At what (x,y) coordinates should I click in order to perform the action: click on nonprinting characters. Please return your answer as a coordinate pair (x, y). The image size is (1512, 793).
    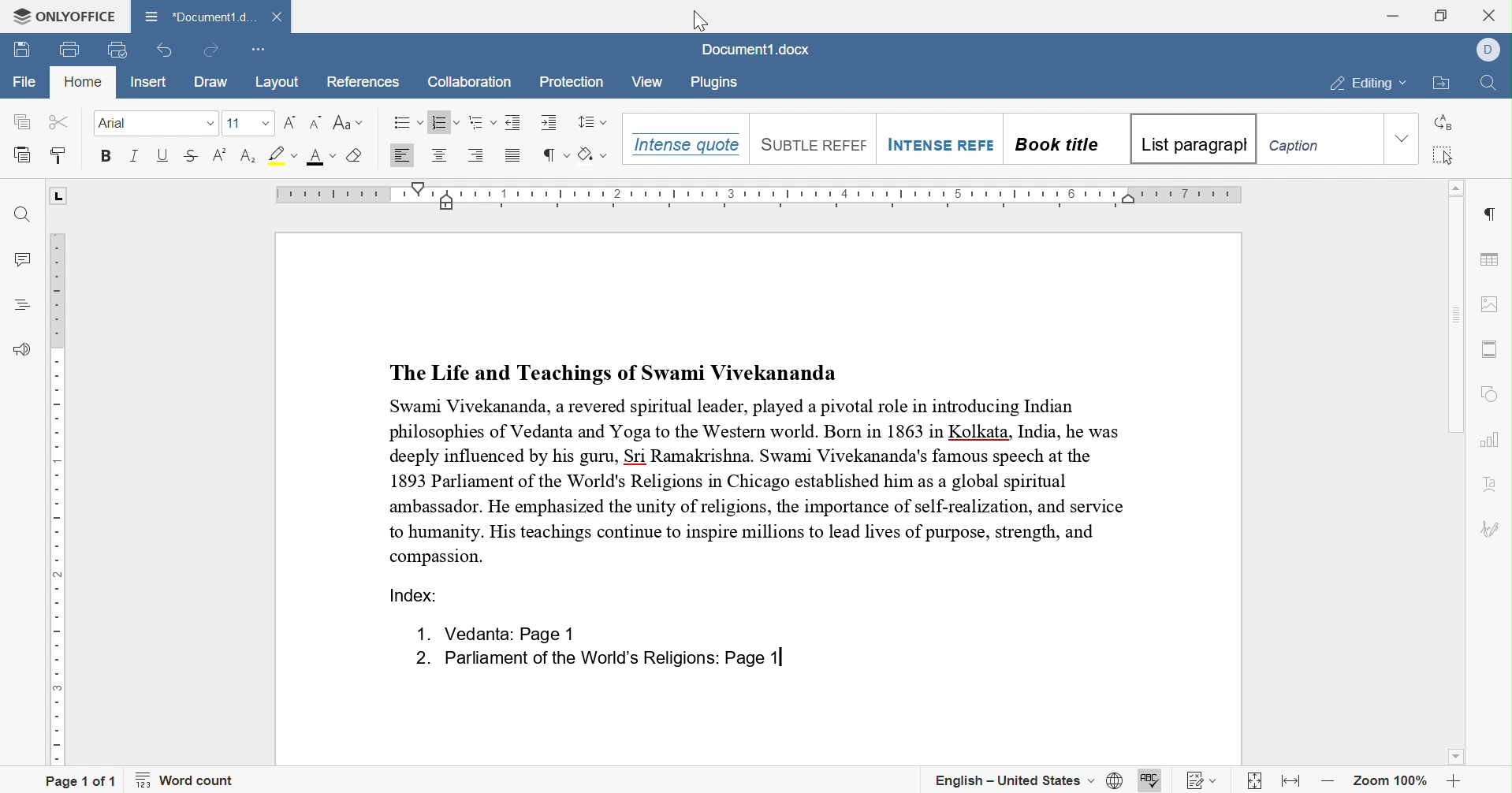
    Looking at the image, I should click on (553, 155).